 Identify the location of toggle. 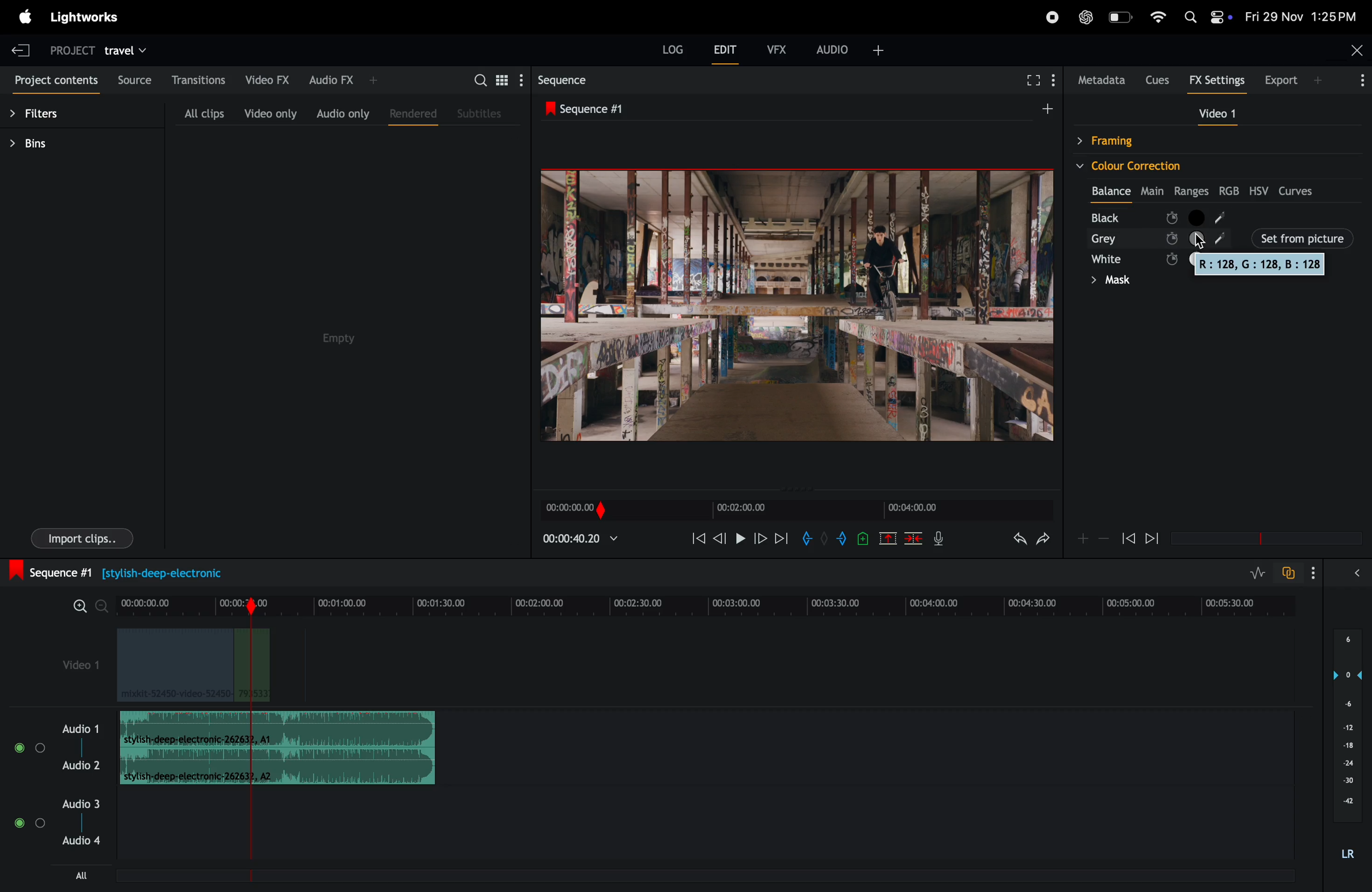
(41, 748).